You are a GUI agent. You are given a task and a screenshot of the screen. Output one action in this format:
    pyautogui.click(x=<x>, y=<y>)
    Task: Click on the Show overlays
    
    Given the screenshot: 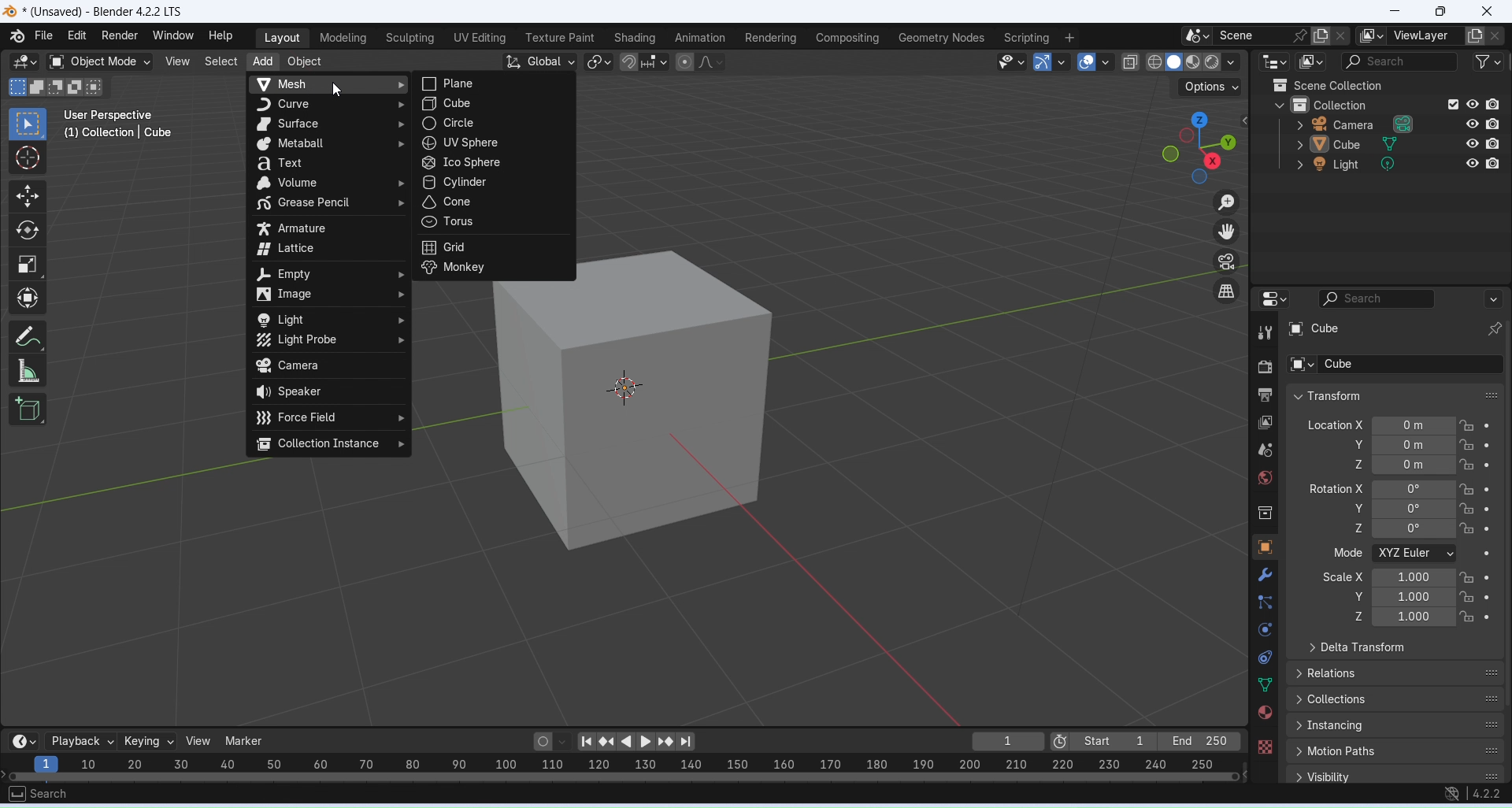 What is the action you would take?
    pyautogui.click(x=1094, y=62)
    